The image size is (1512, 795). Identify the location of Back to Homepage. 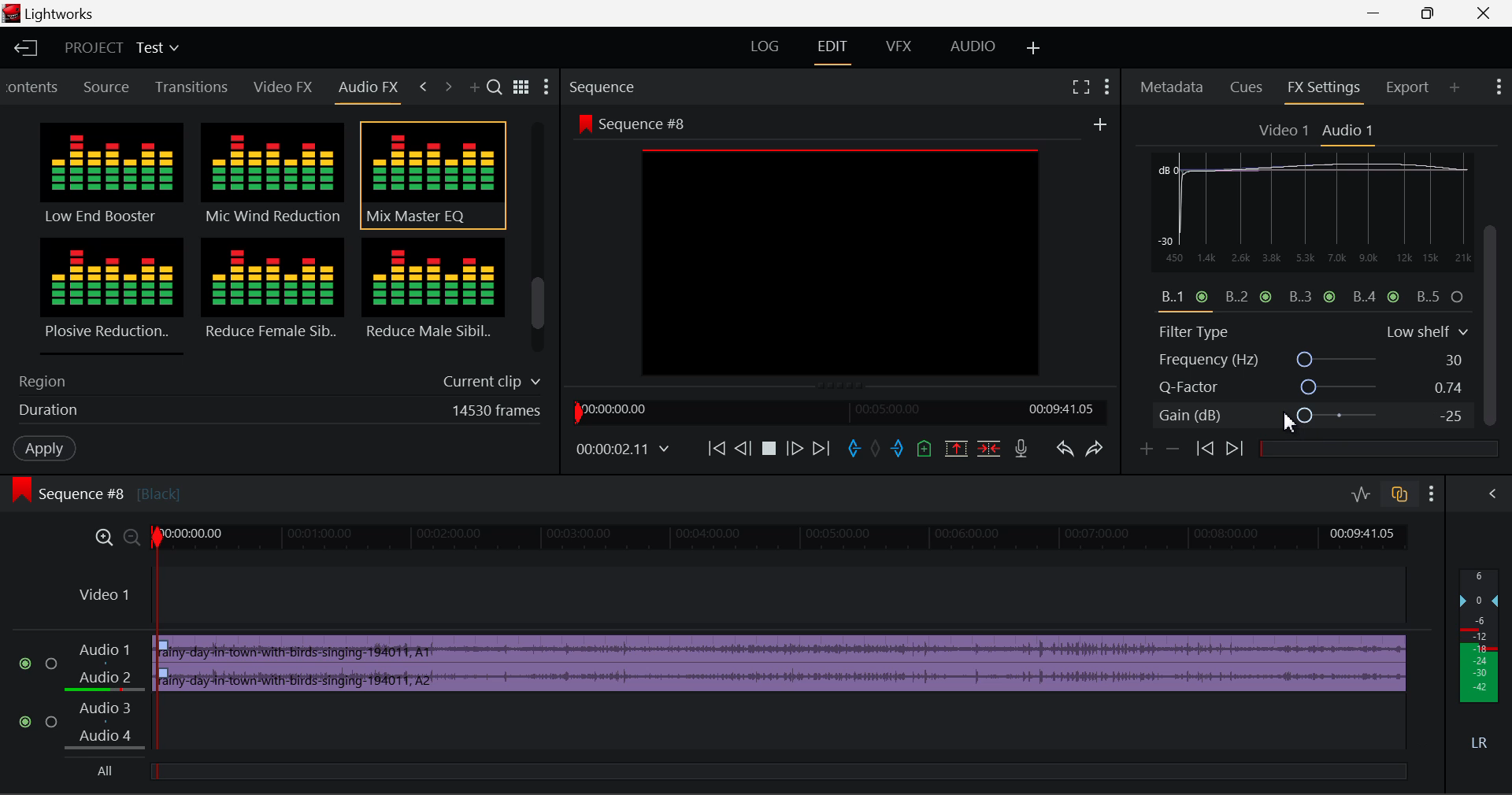
(24, 48).